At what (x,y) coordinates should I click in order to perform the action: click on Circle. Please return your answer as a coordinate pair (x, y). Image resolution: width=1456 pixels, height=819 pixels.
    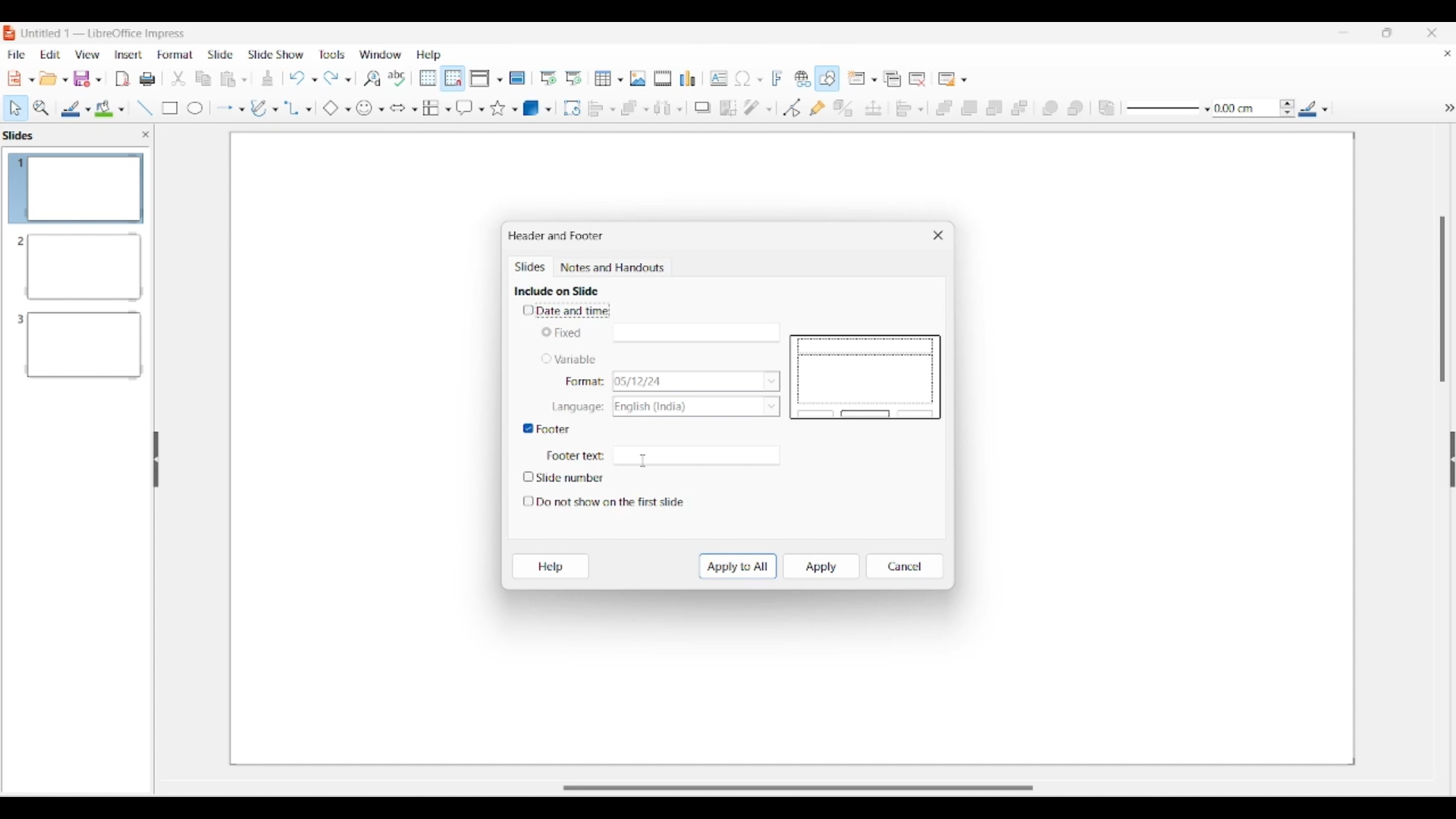
    Looking at the image, I should click on (194, 108).